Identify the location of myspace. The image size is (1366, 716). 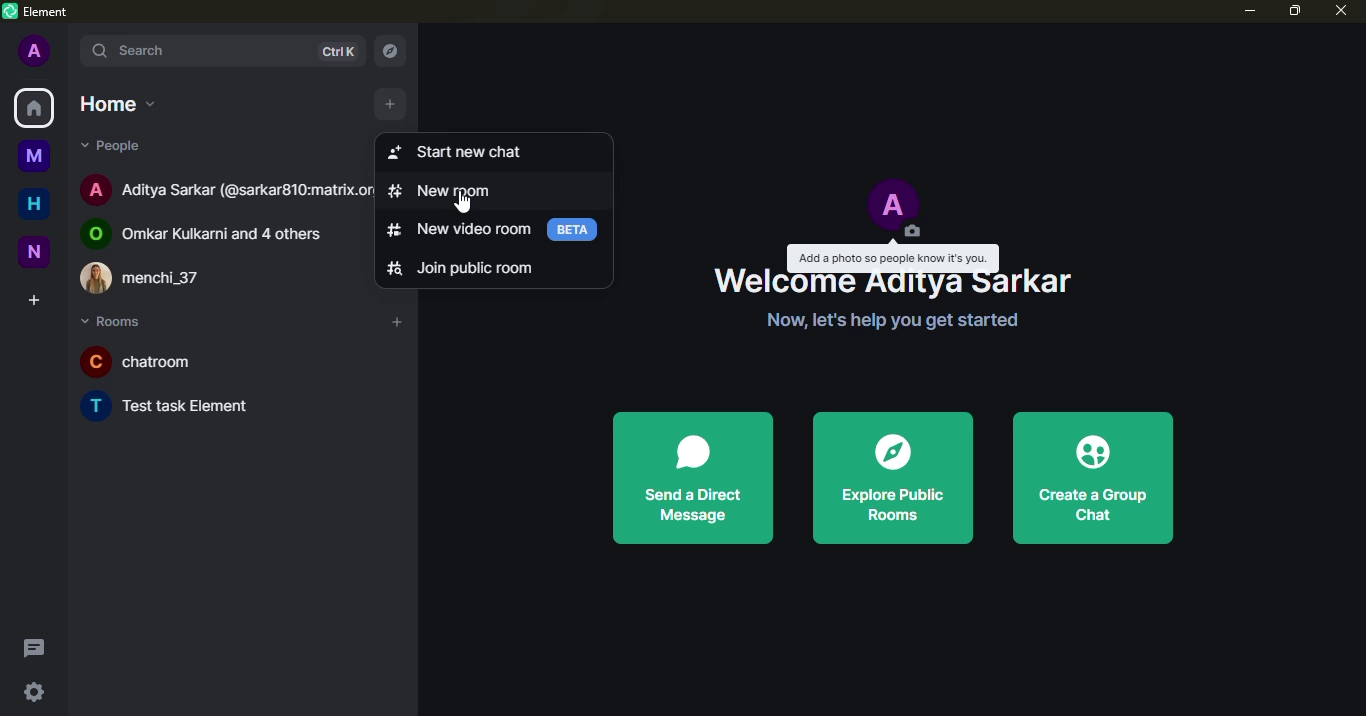
(36, 158).